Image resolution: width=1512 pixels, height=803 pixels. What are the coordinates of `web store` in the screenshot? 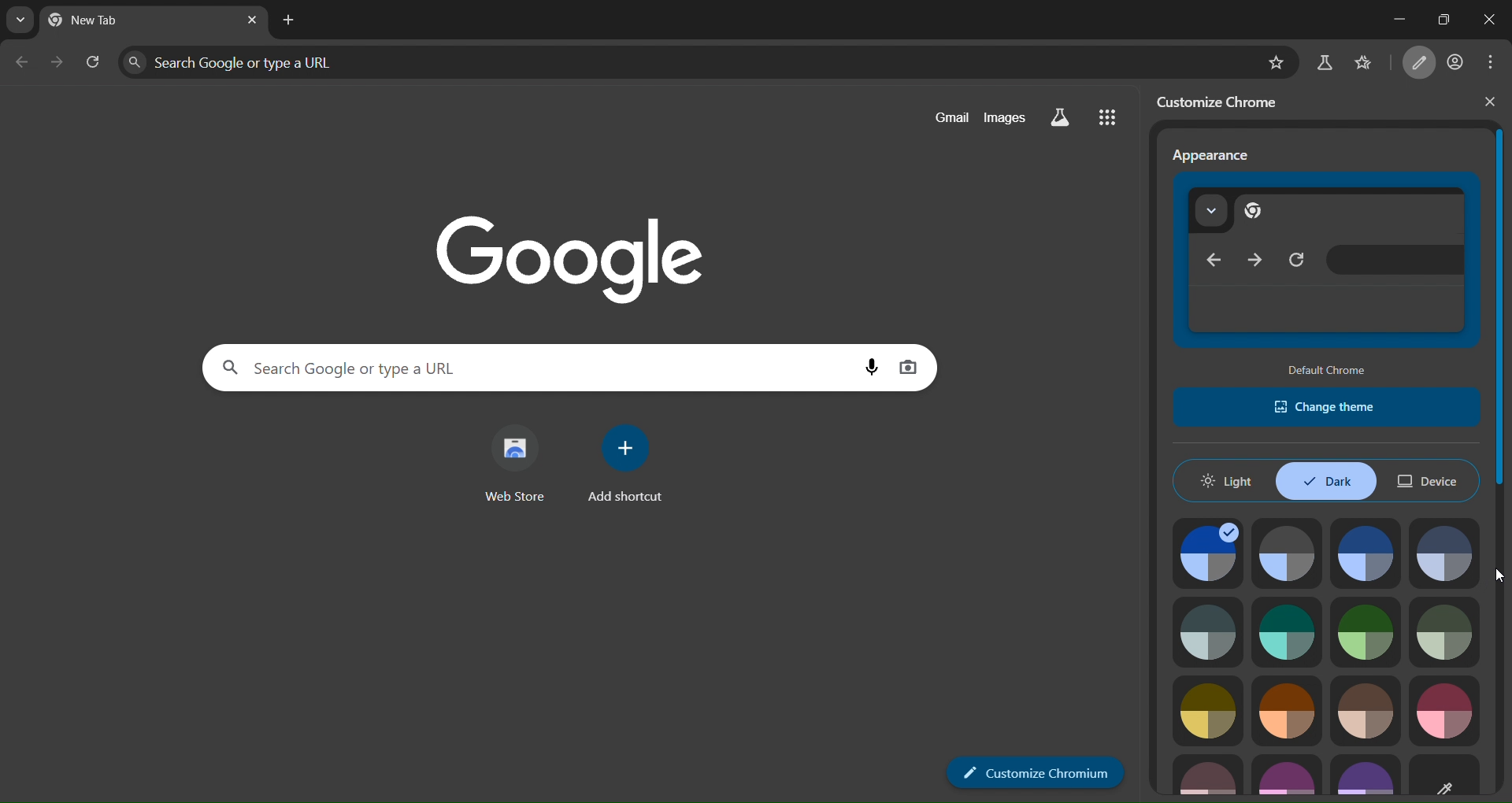 It's located at (511, 466).